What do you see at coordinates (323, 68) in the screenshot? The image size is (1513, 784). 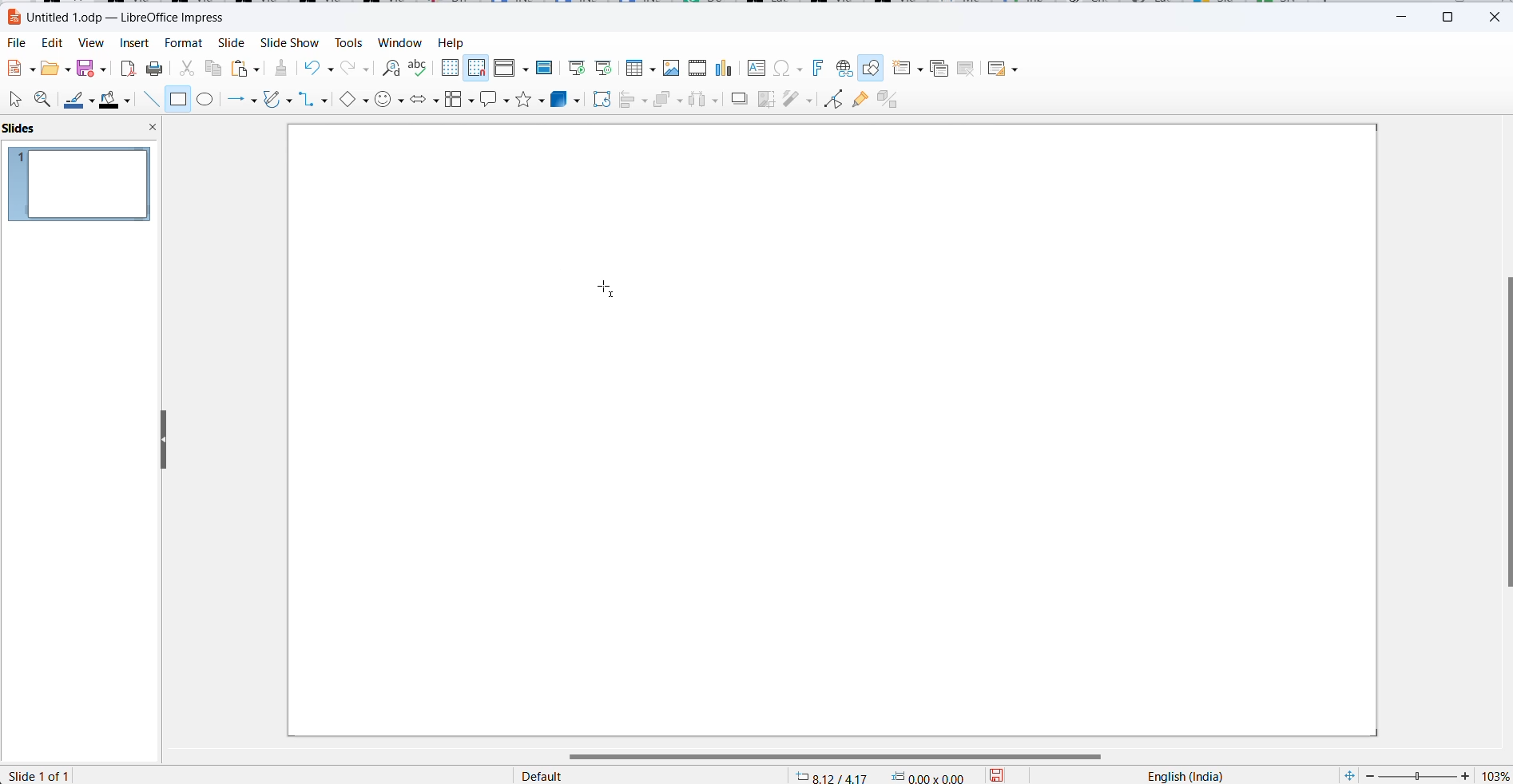 I see `undo` at bounding box center [323, 68].